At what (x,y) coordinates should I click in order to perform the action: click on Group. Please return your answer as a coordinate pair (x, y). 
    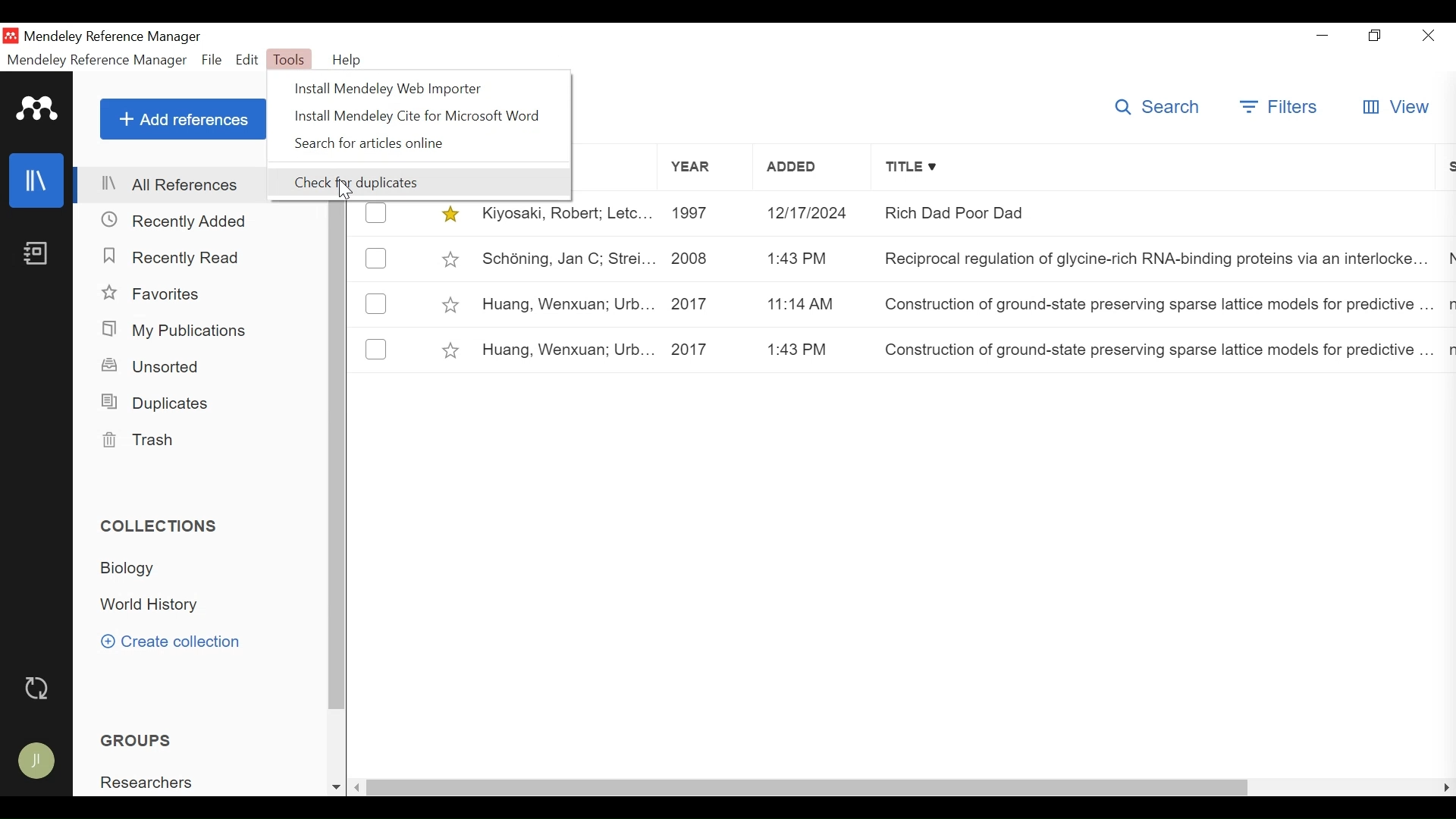
    Looking at the image, I should click on (147, 781).